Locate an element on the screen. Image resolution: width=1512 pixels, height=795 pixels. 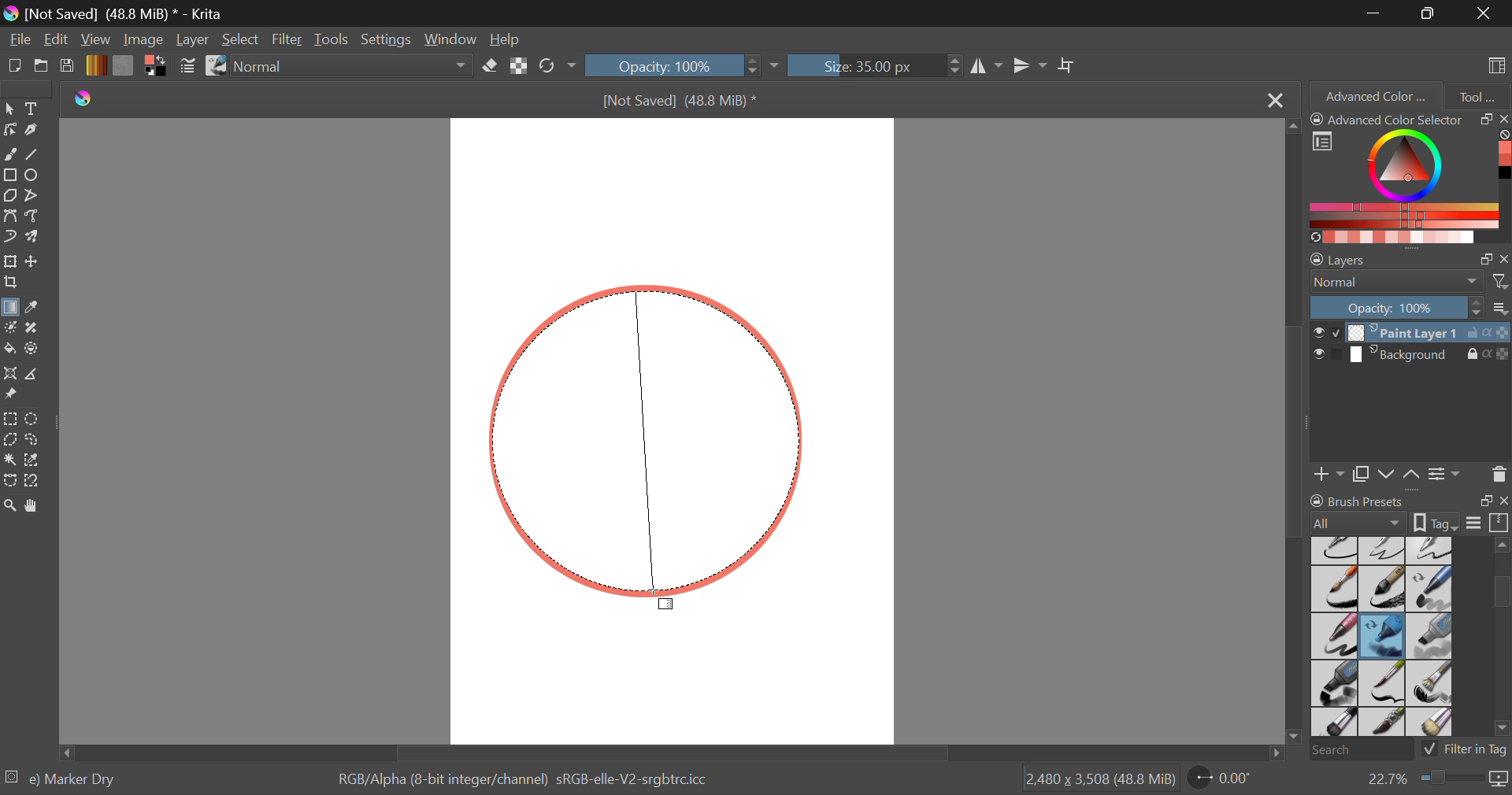
slider is located at coordinates (1495, 636).